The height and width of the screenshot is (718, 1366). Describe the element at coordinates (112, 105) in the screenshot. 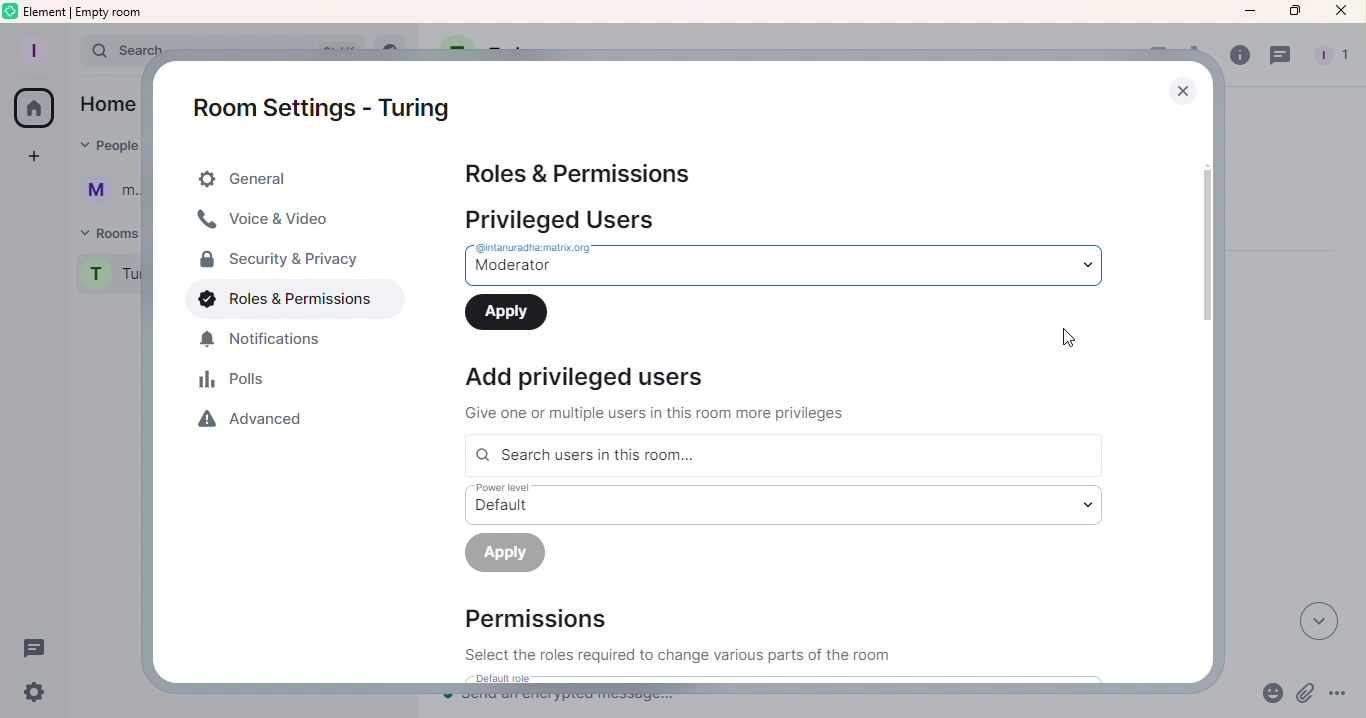

I see `home` at that location.